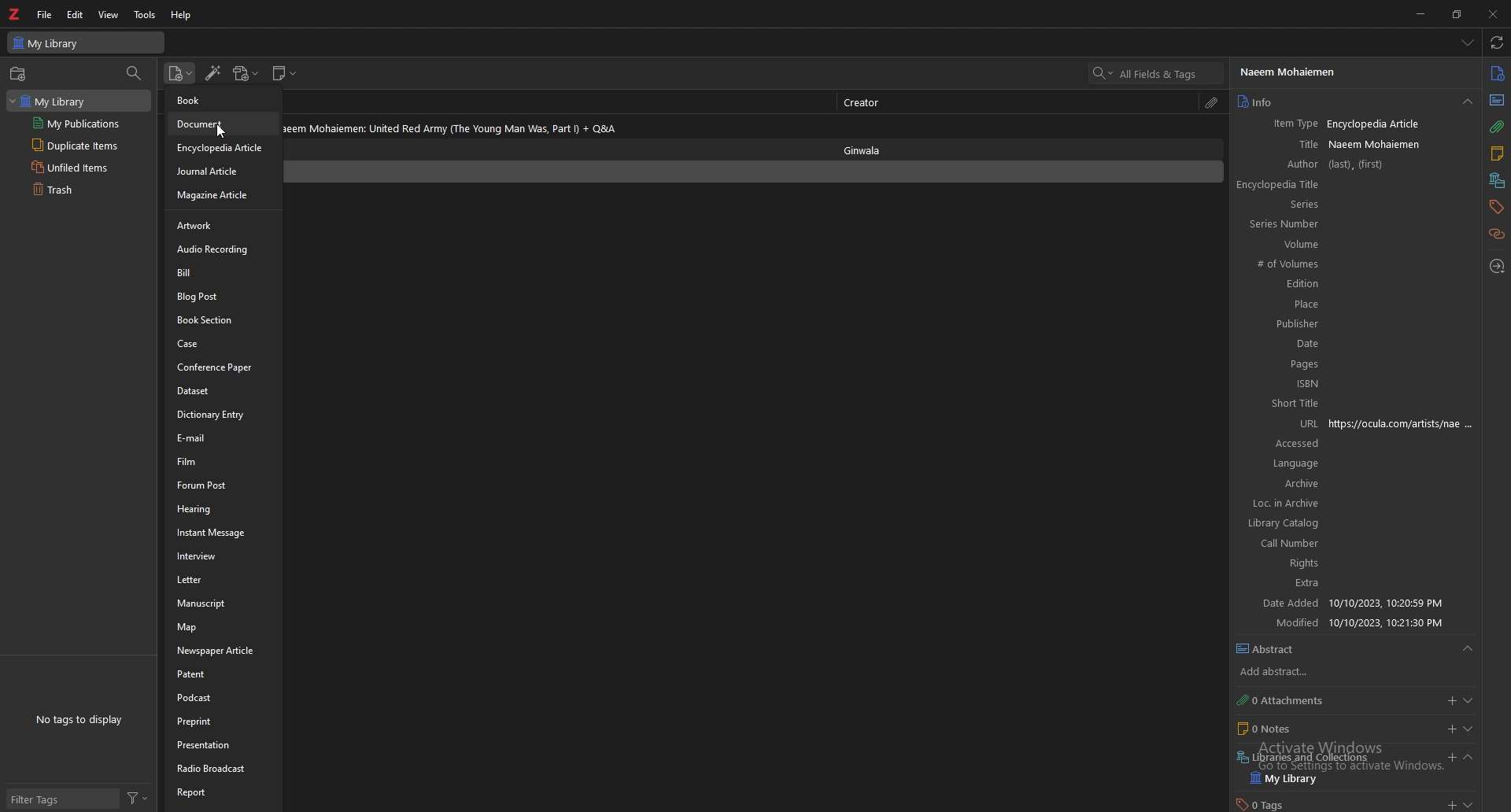  Describe the element at coordinates (223, 98) in the screenshot. I see `book` at that location.